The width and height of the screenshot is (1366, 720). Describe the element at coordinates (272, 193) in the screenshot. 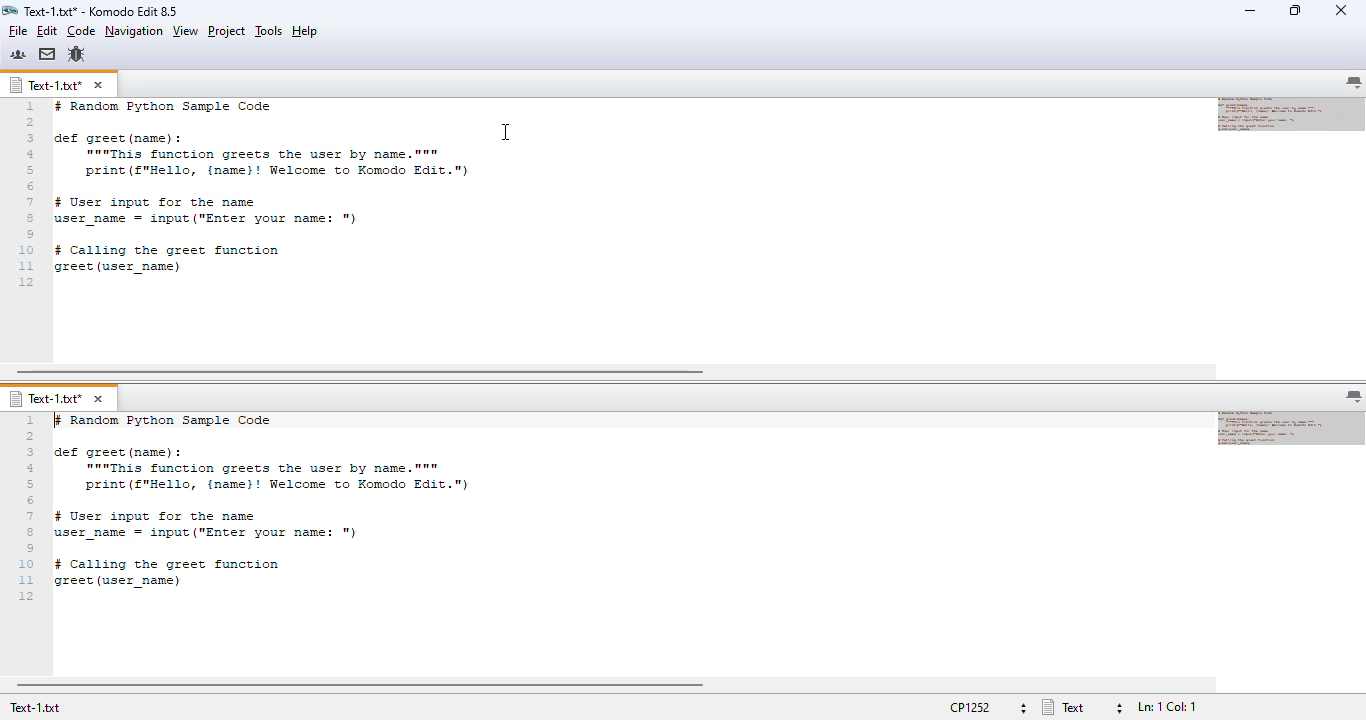

I see `text` at that location.